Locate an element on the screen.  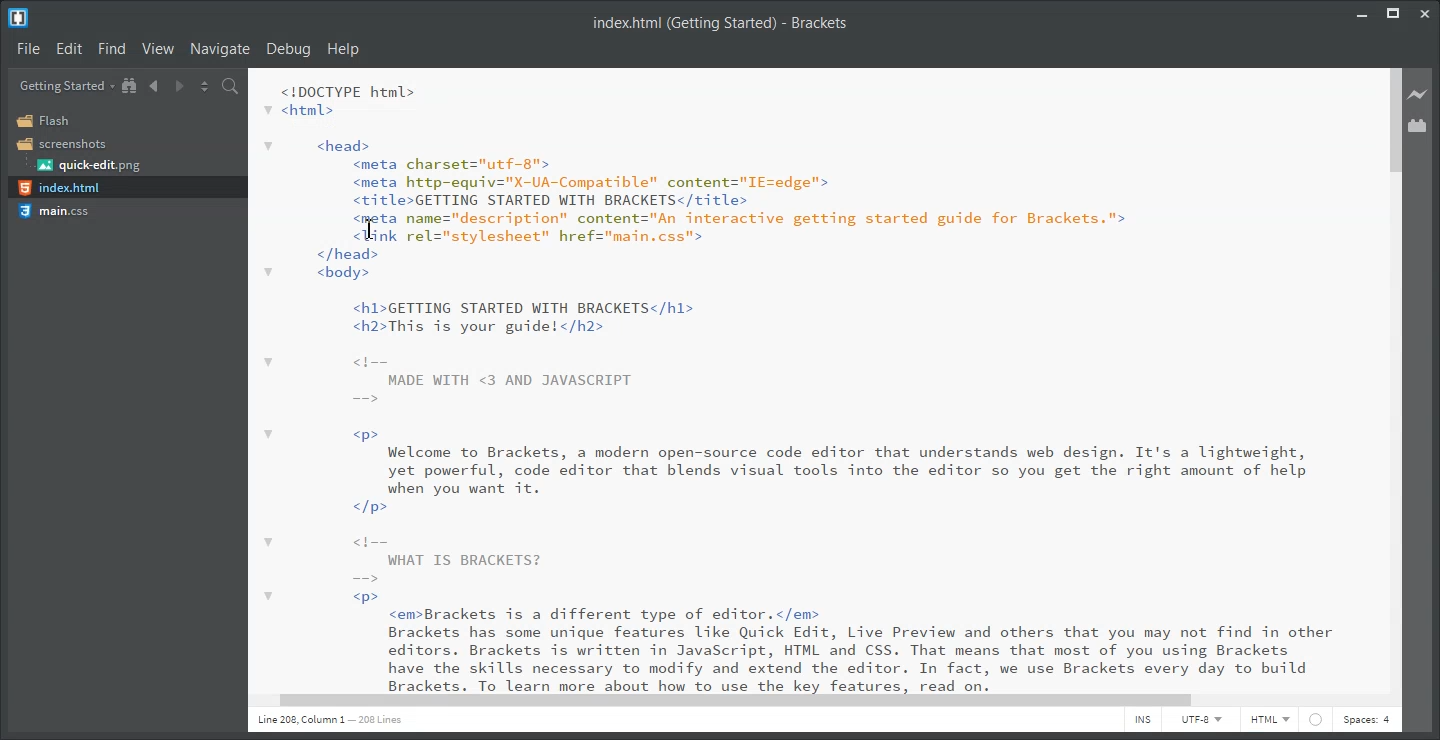
Maximize is located at coordinates (1393, 12).